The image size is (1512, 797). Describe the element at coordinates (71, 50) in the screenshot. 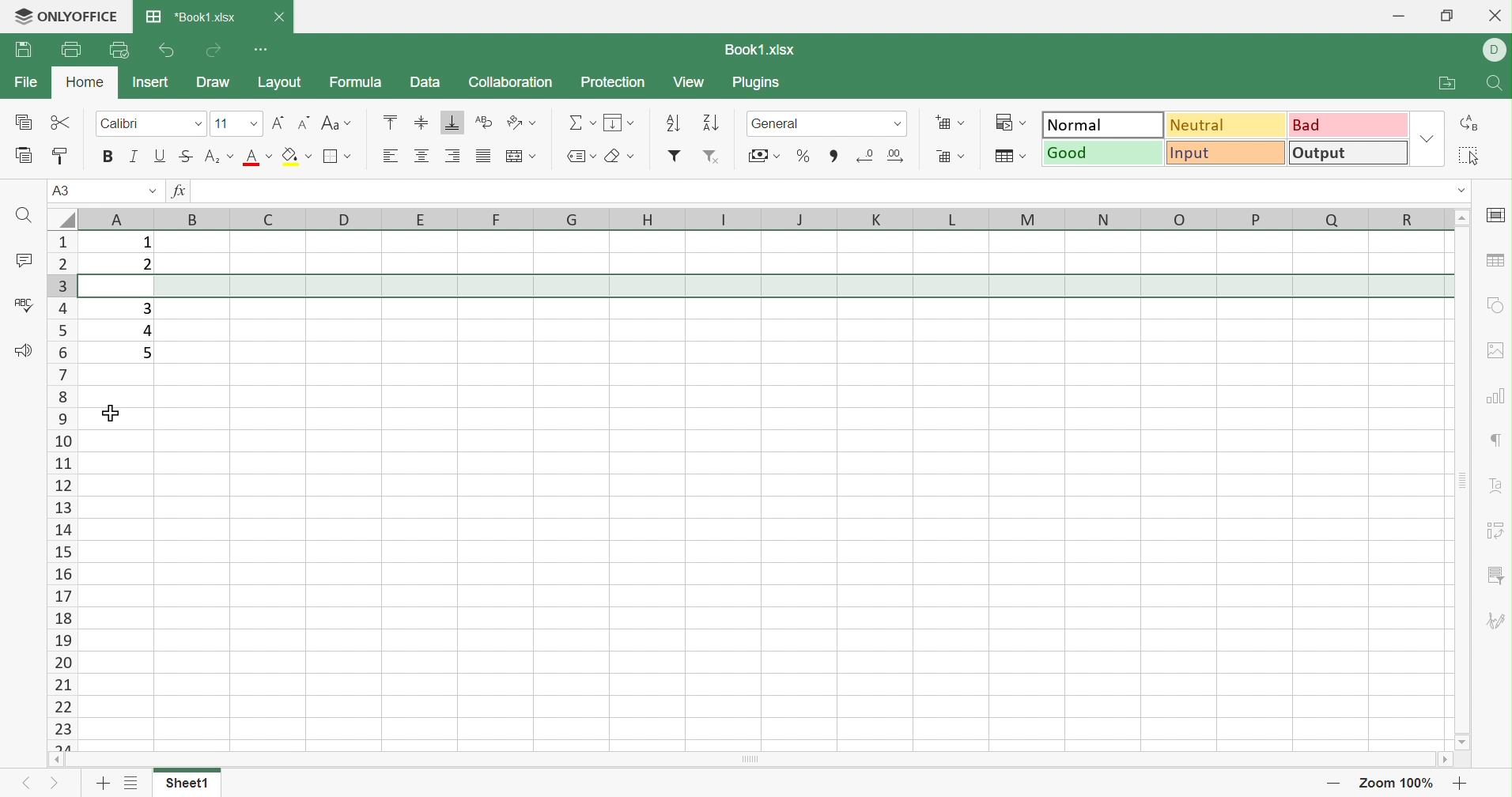

I see `Print` at that location.